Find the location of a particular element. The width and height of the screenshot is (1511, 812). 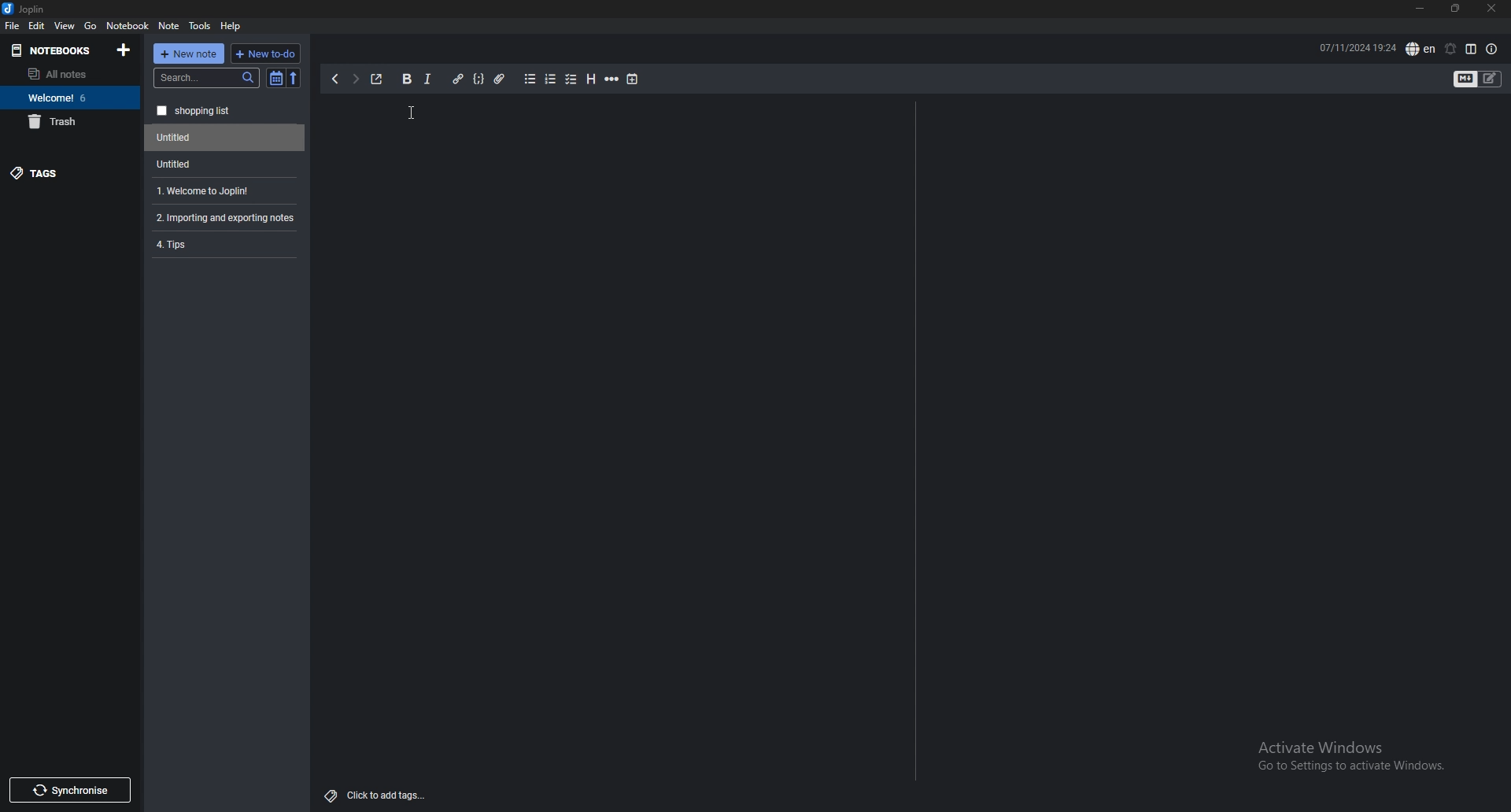

notebooks is located at coordinates (56, 50).